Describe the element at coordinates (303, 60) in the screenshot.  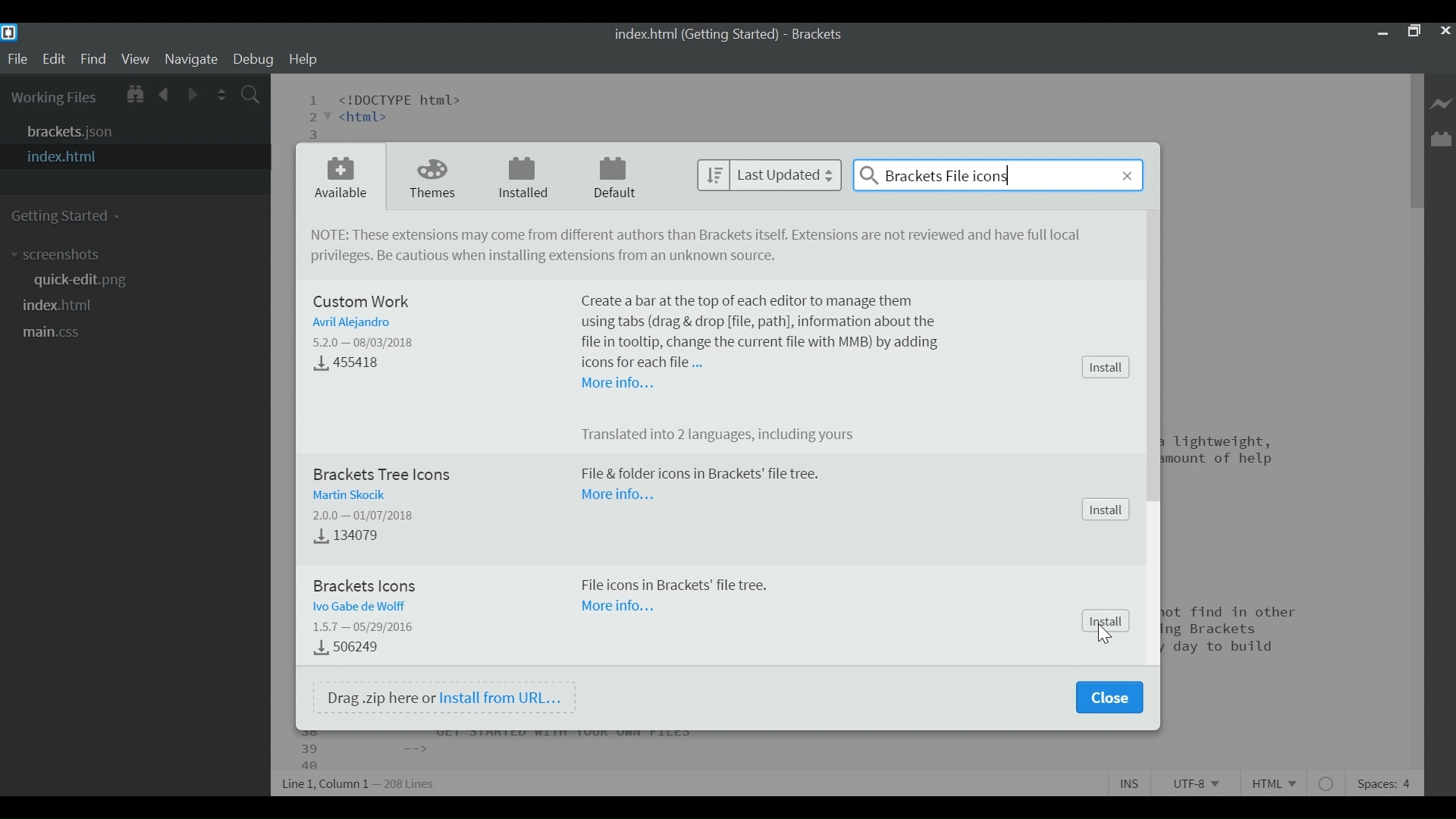
I see `Help` at that location.